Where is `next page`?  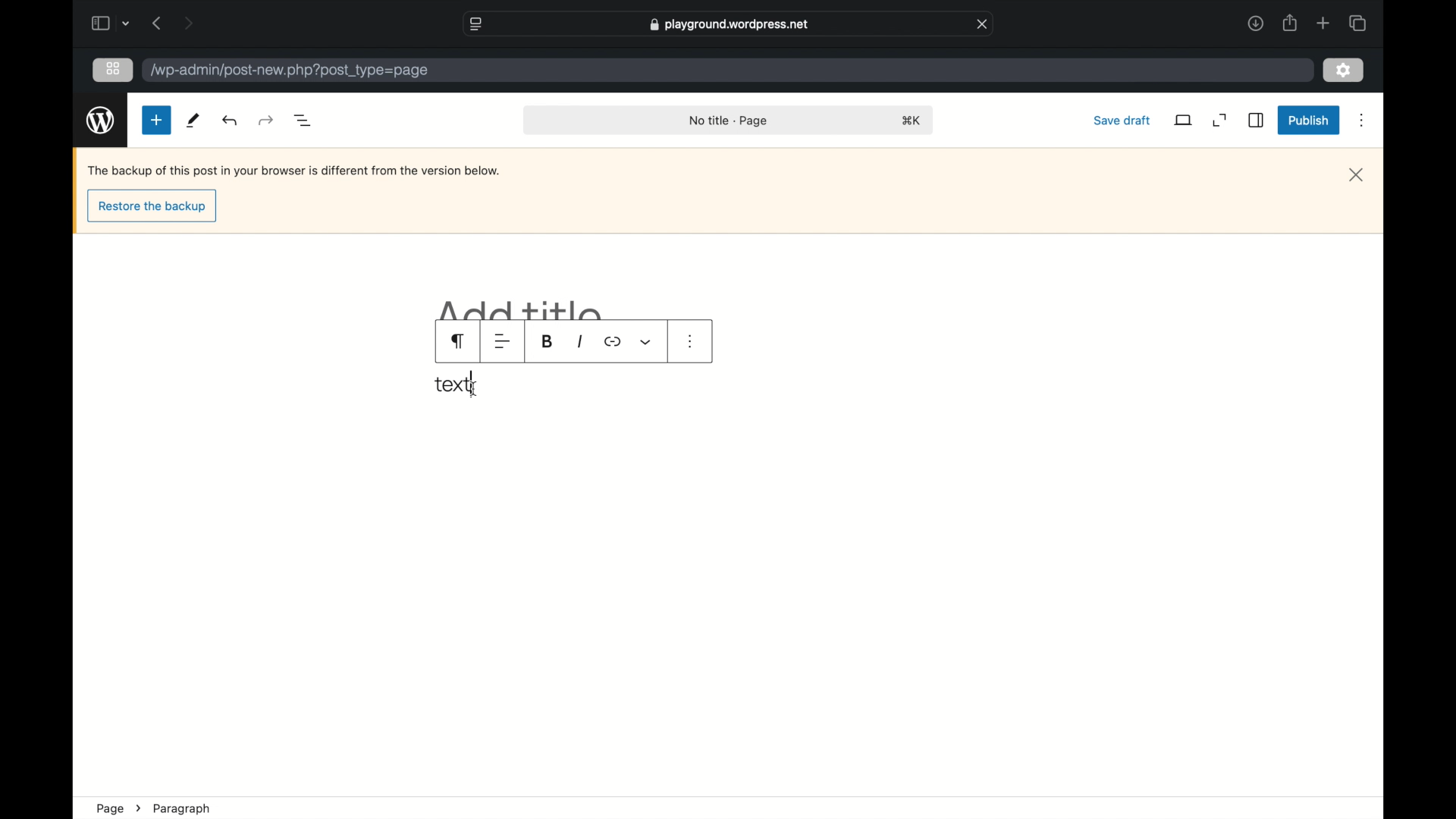 next page is located at coordinates (188, 23).